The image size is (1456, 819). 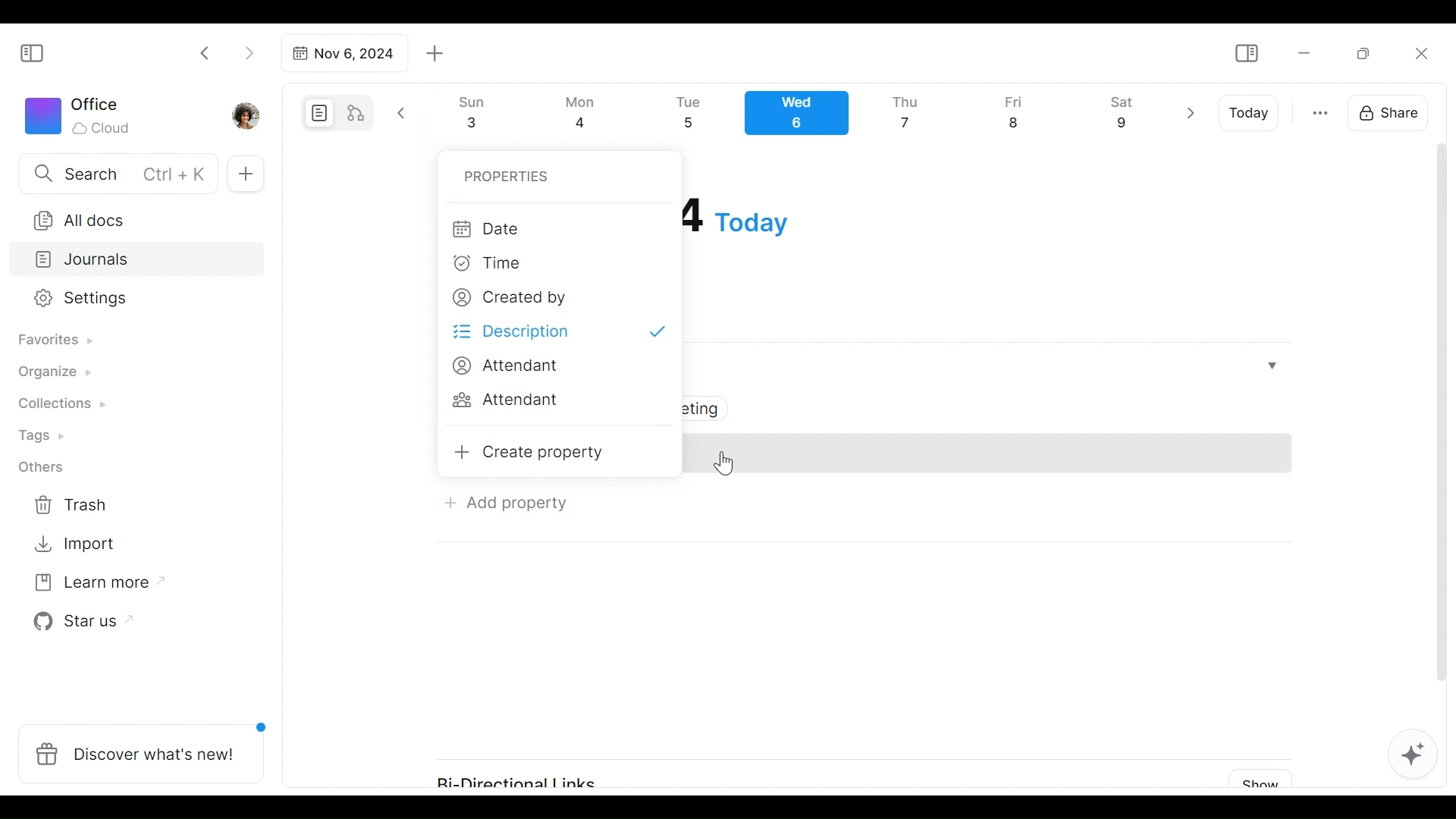 What do you see at coordinates (1250, 113) in the screenshot?
I see `Today` at bounding box center [1250, 113].